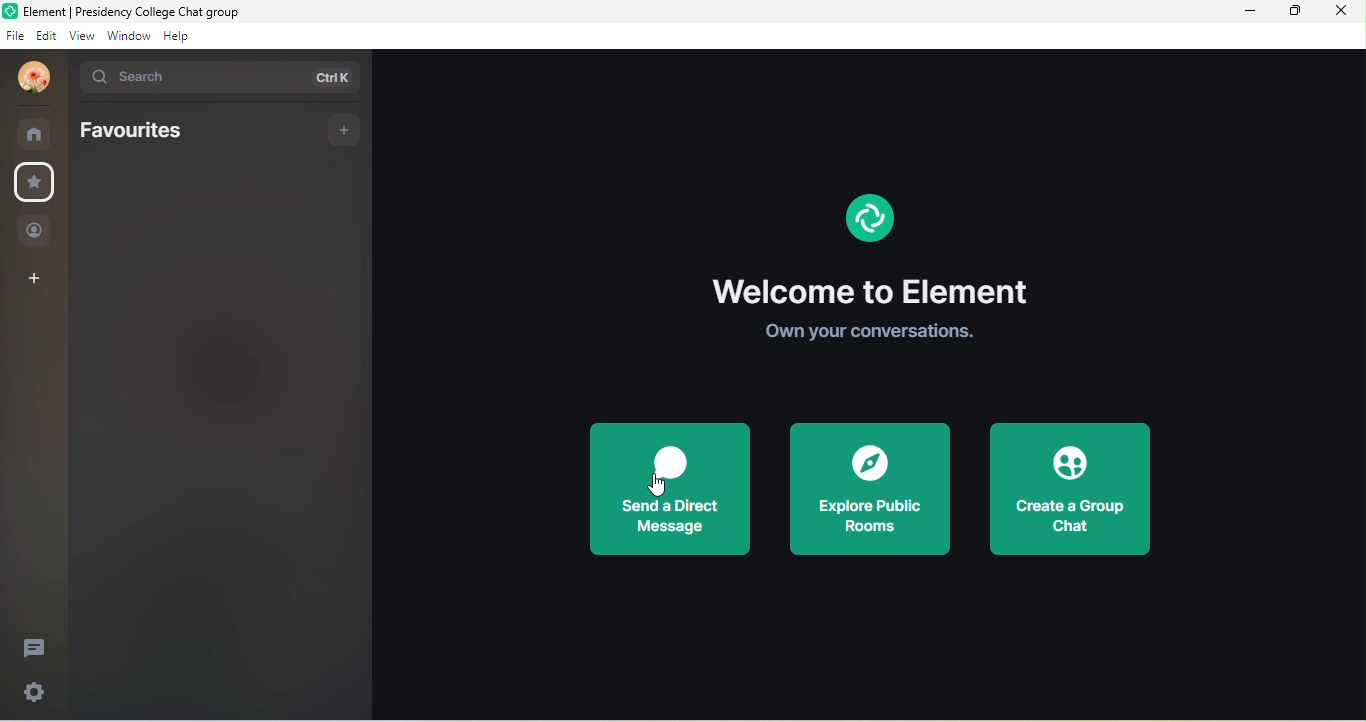  What do you see at coordinates (82, 35) in the screenshot?
I see `view` at bounding box center [82, 35].